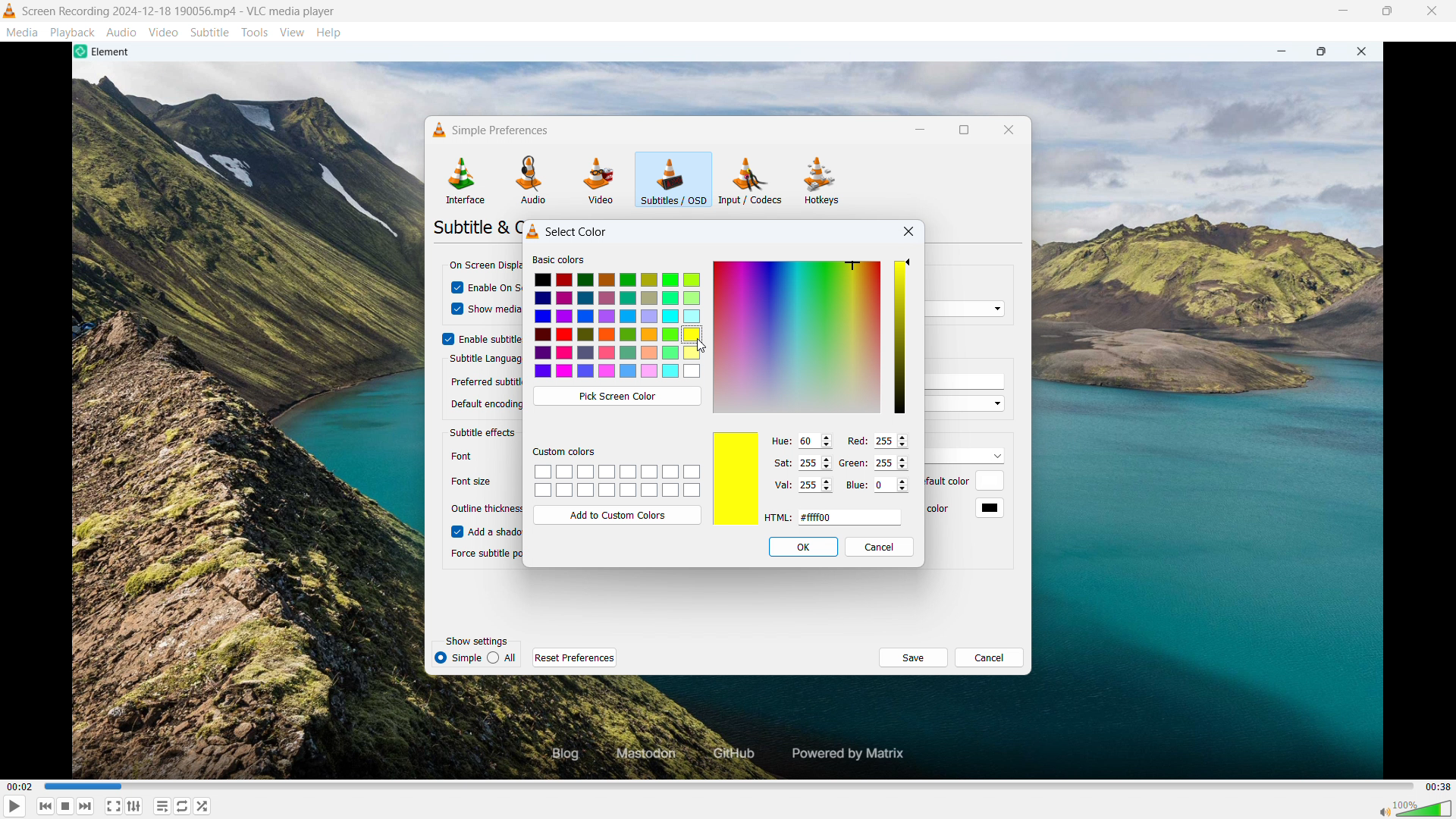 This screenshot has height=819, width=1456. I want to click on Interface , so click(465, 180).